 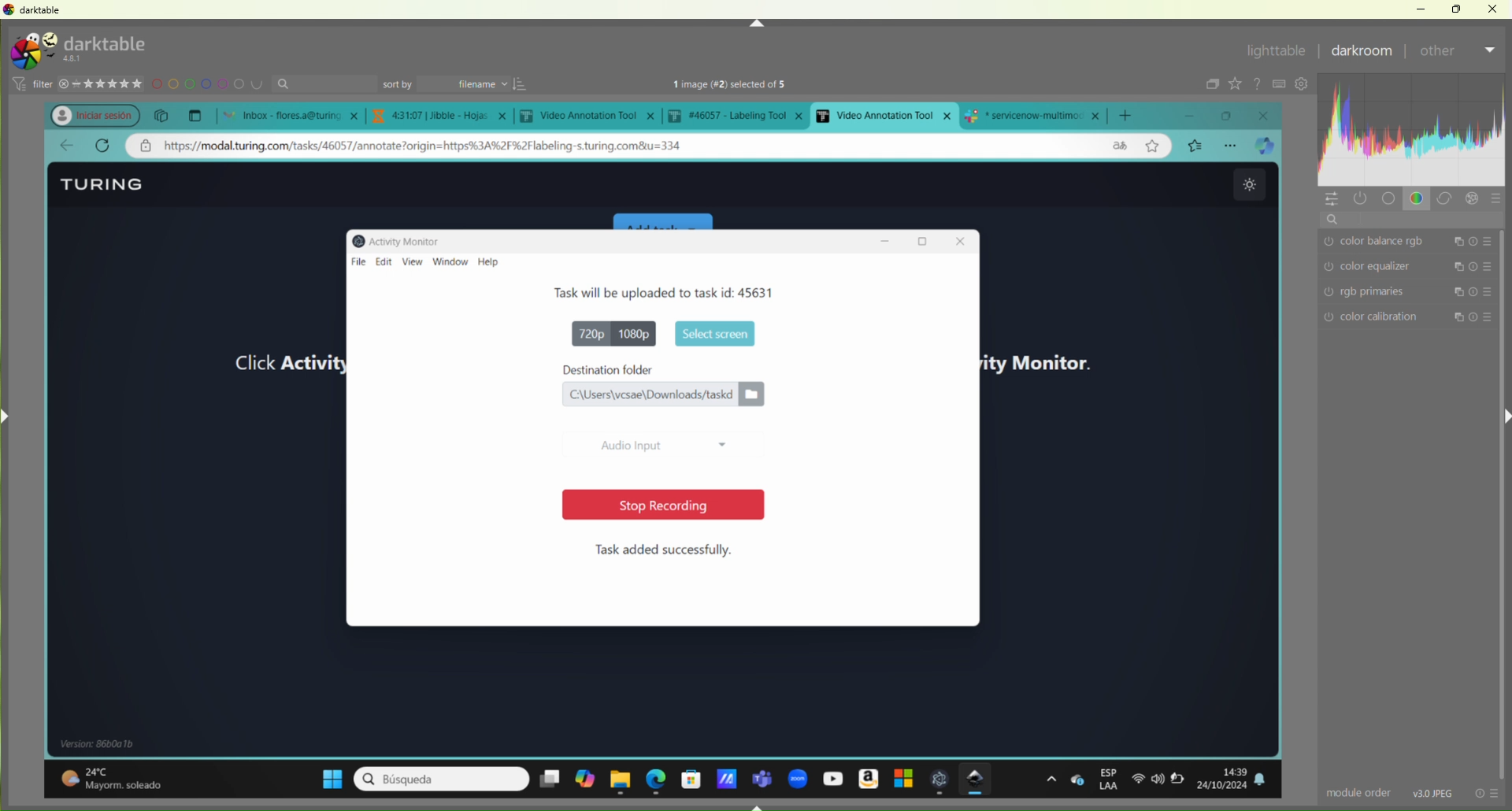 What do you see at coordinates (1414, 222) in the screenshot?
I see `search` at bounding box center [1414, 222].